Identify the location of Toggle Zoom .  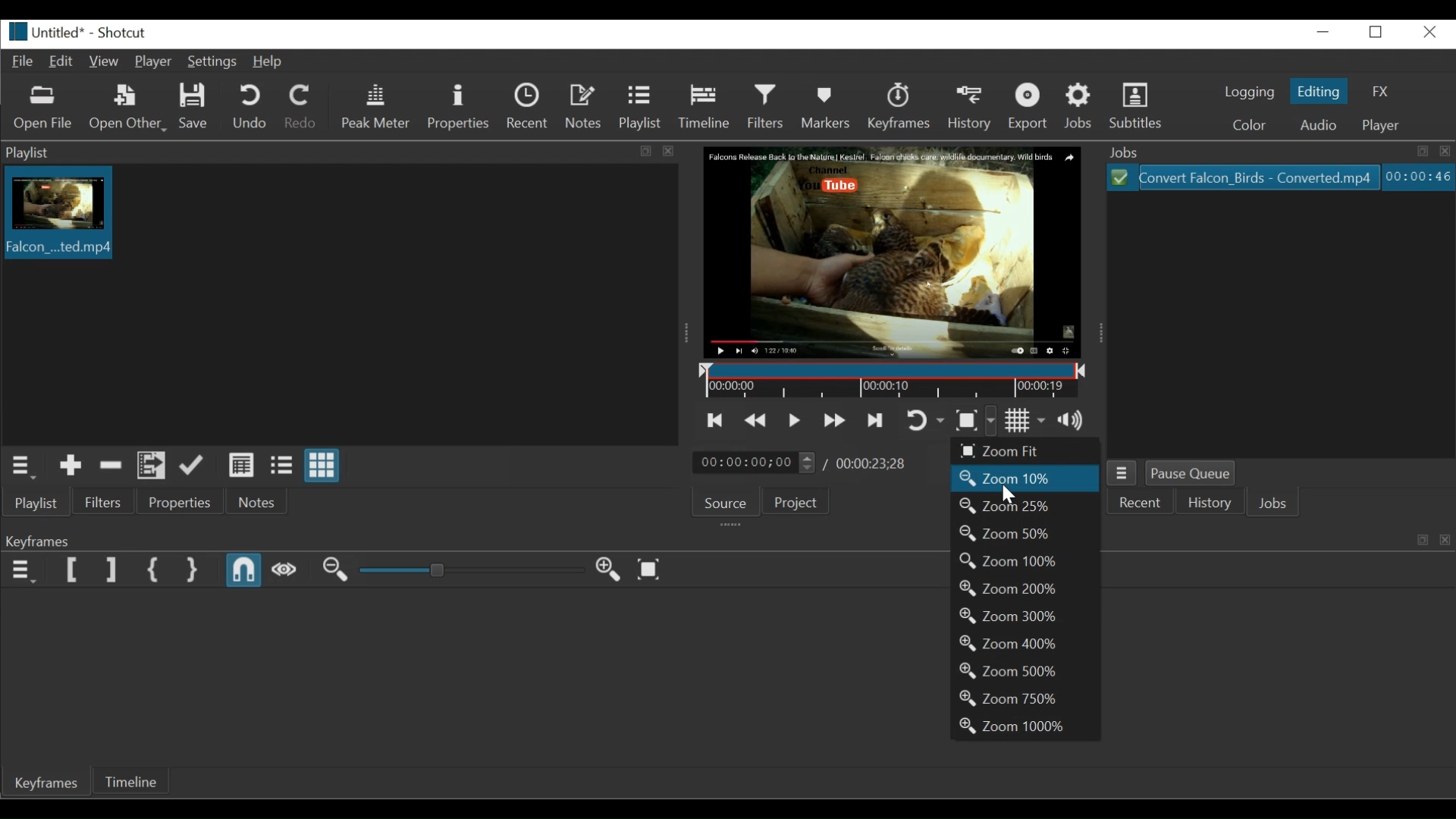
(973, 421).